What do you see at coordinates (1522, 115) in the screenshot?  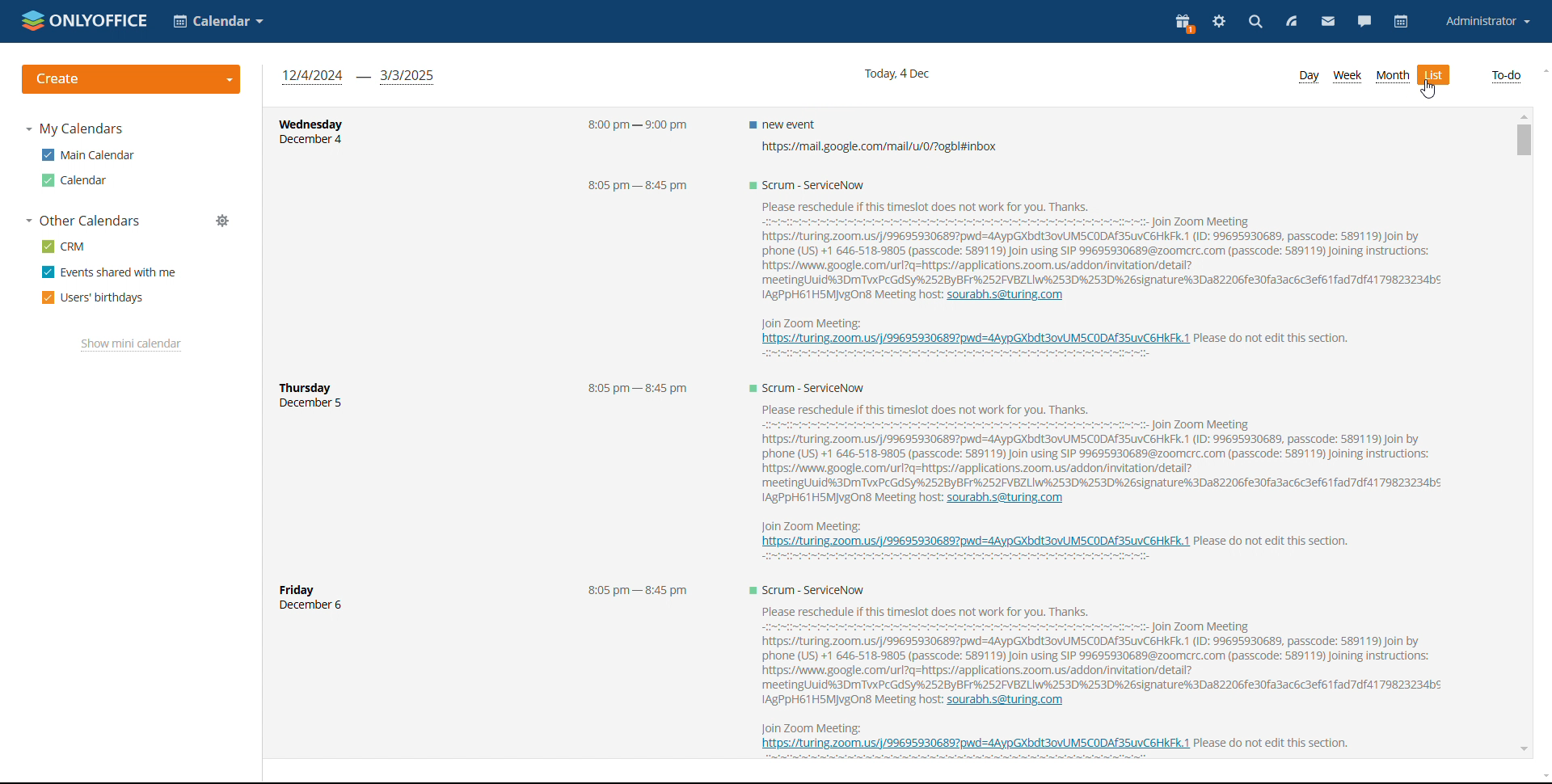 I see `scroll up` at bounding box center [1522, 115].